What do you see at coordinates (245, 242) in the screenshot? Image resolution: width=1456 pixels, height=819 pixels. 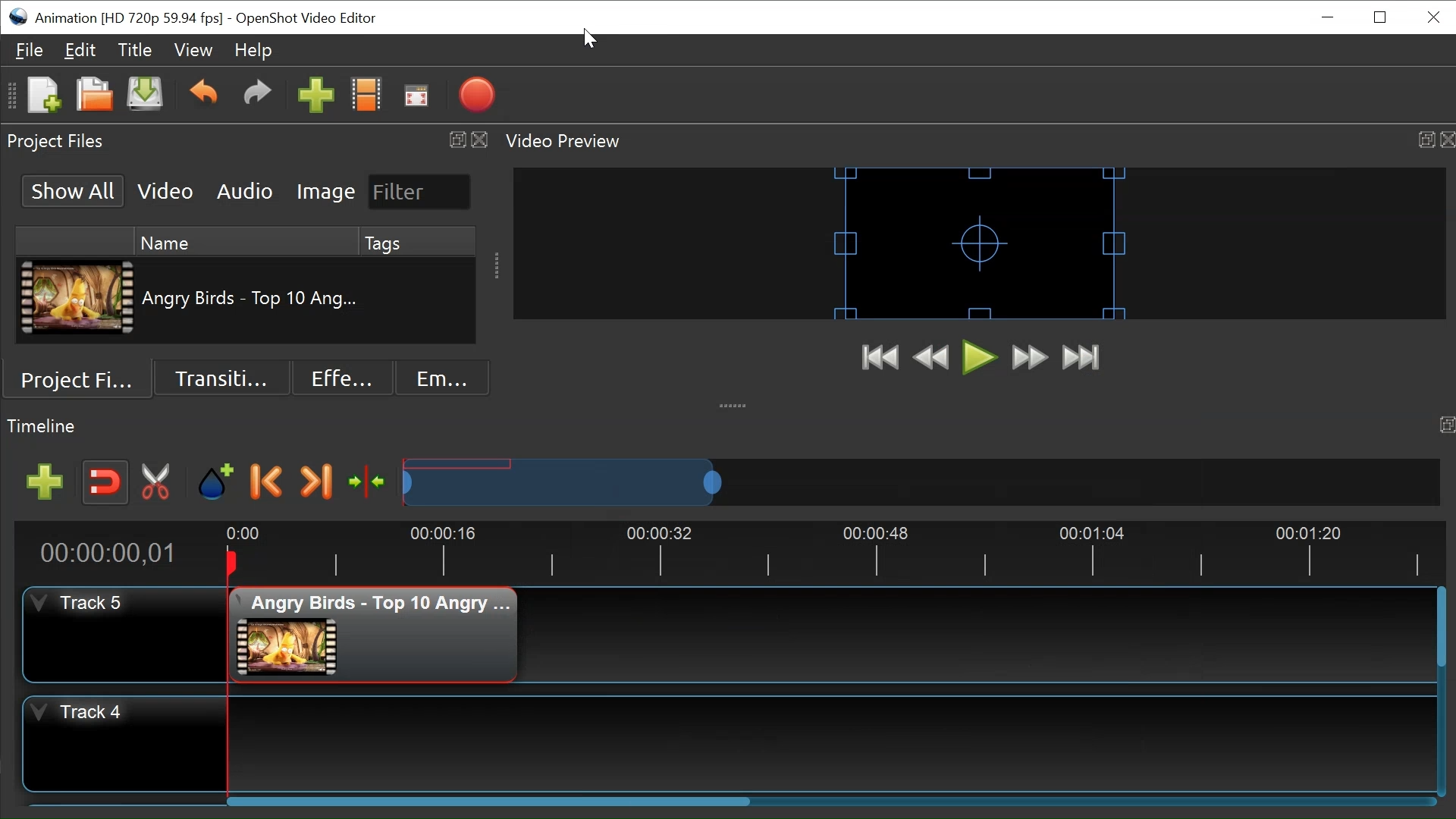 I see `Name` at bounding box center [245, 242].